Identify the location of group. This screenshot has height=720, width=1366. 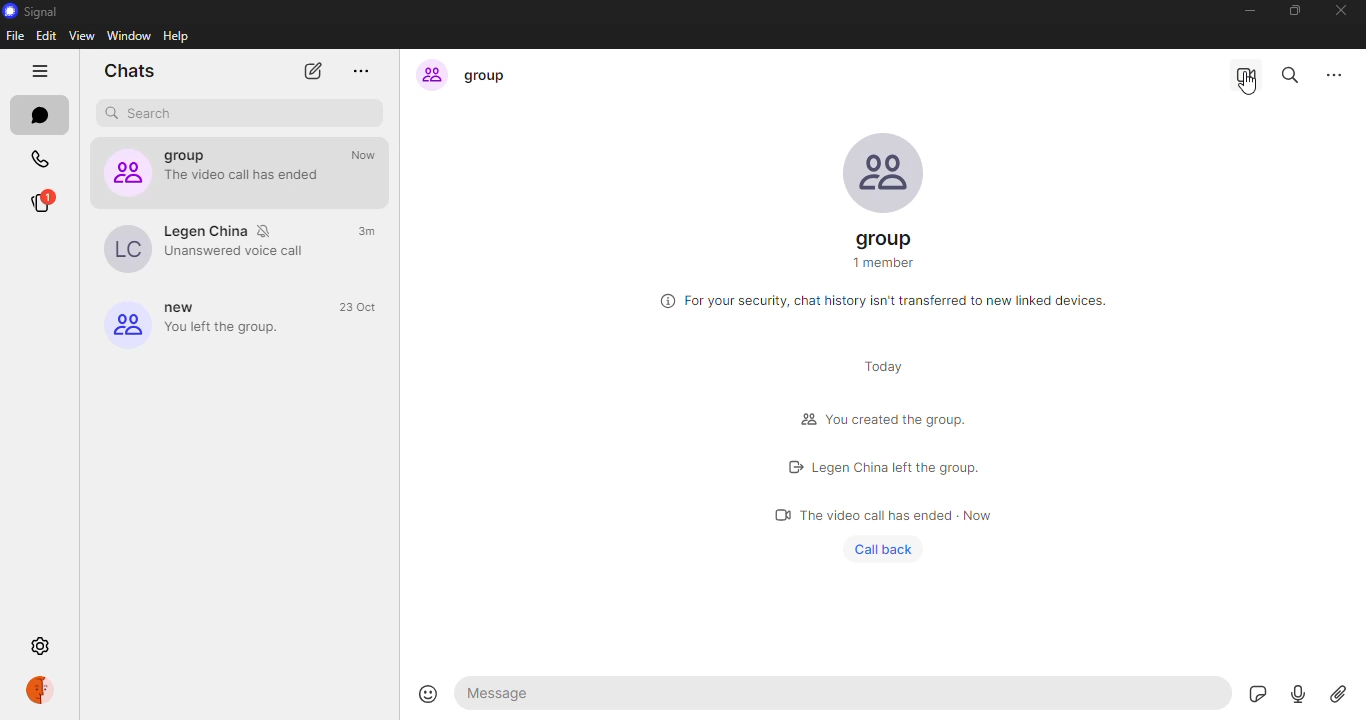
(888, 237).